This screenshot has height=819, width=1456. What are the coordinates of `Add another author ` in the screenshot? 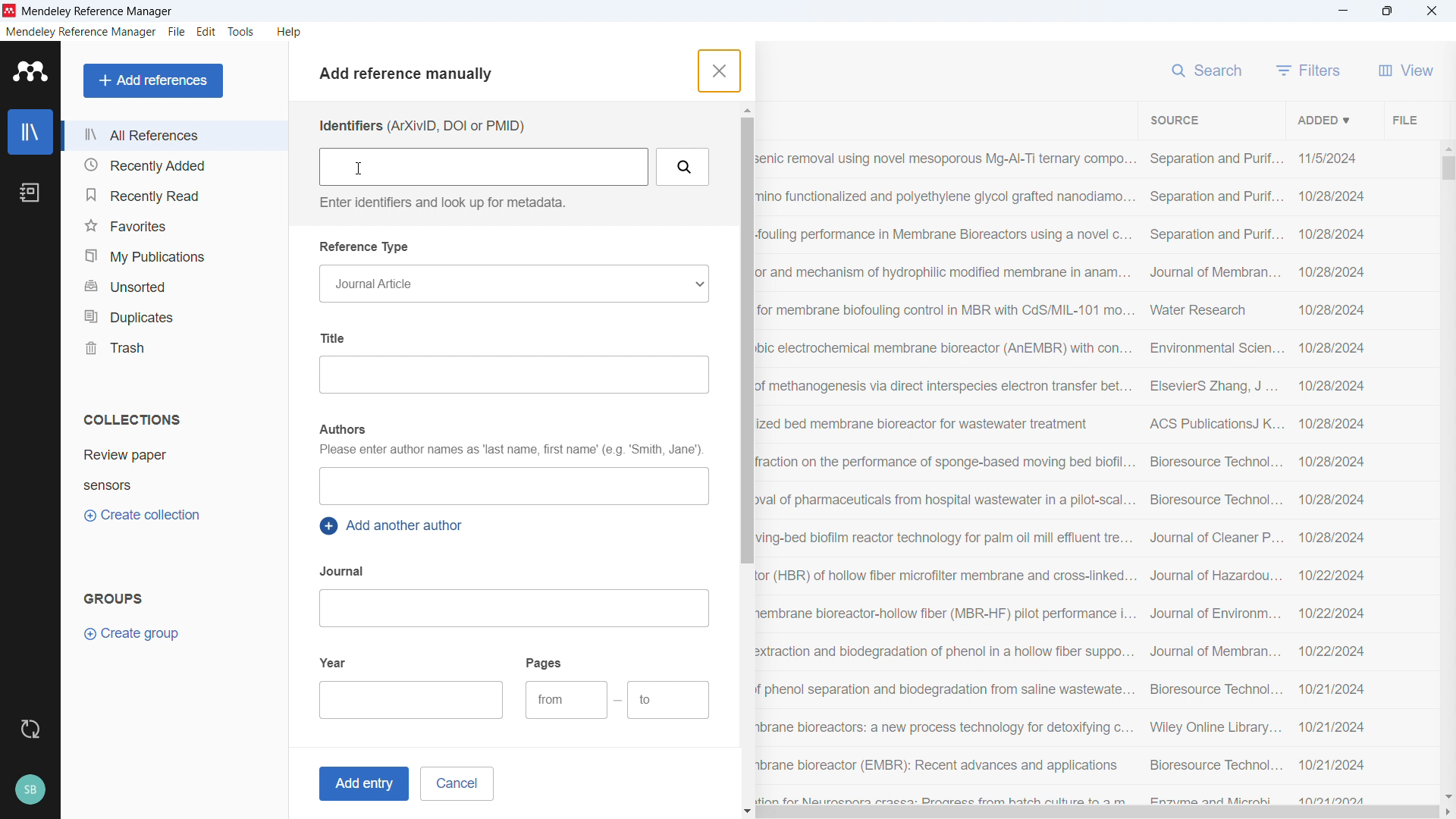 It's located at (394, 526).